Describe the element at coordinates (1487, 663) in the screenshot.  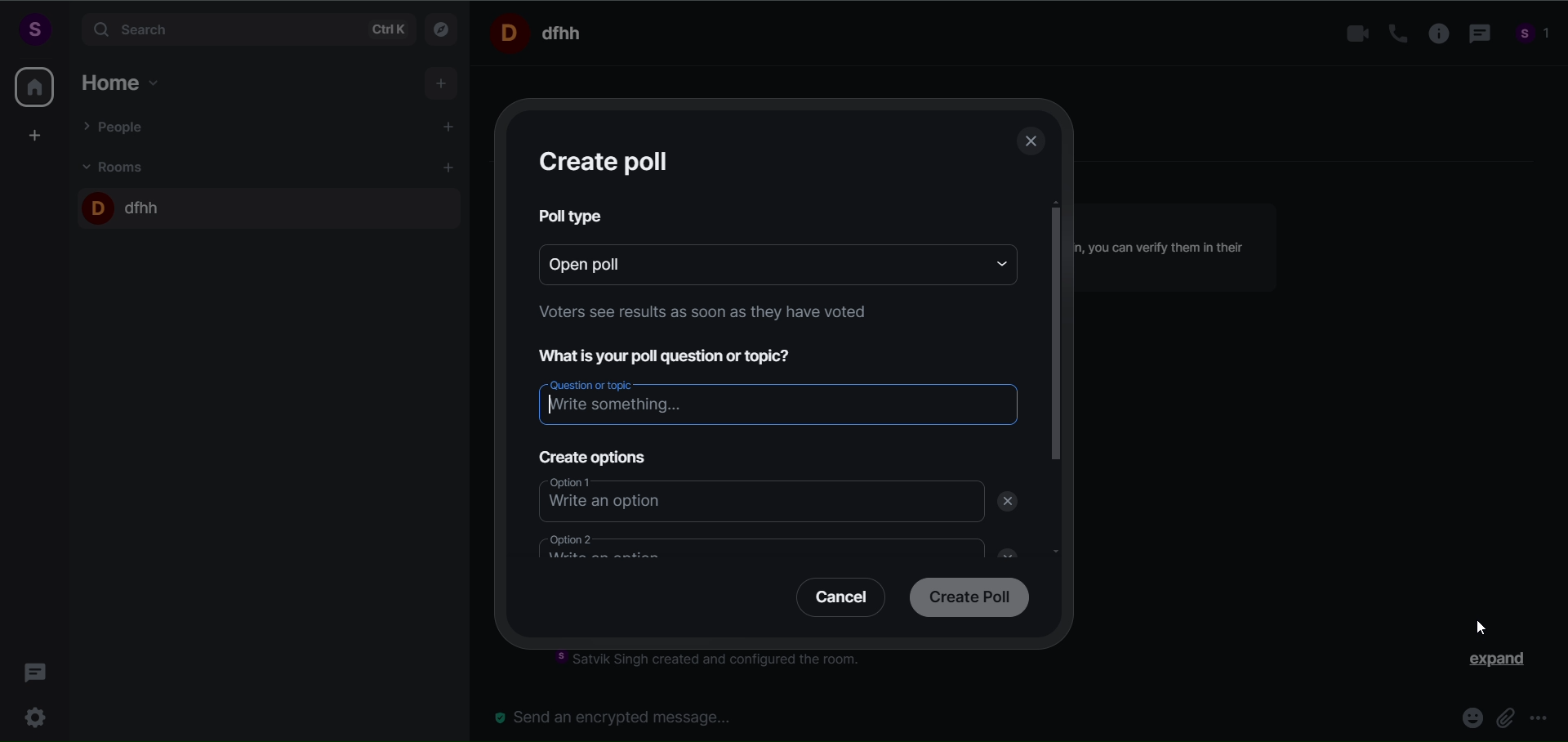
I see `Expand` at that location.